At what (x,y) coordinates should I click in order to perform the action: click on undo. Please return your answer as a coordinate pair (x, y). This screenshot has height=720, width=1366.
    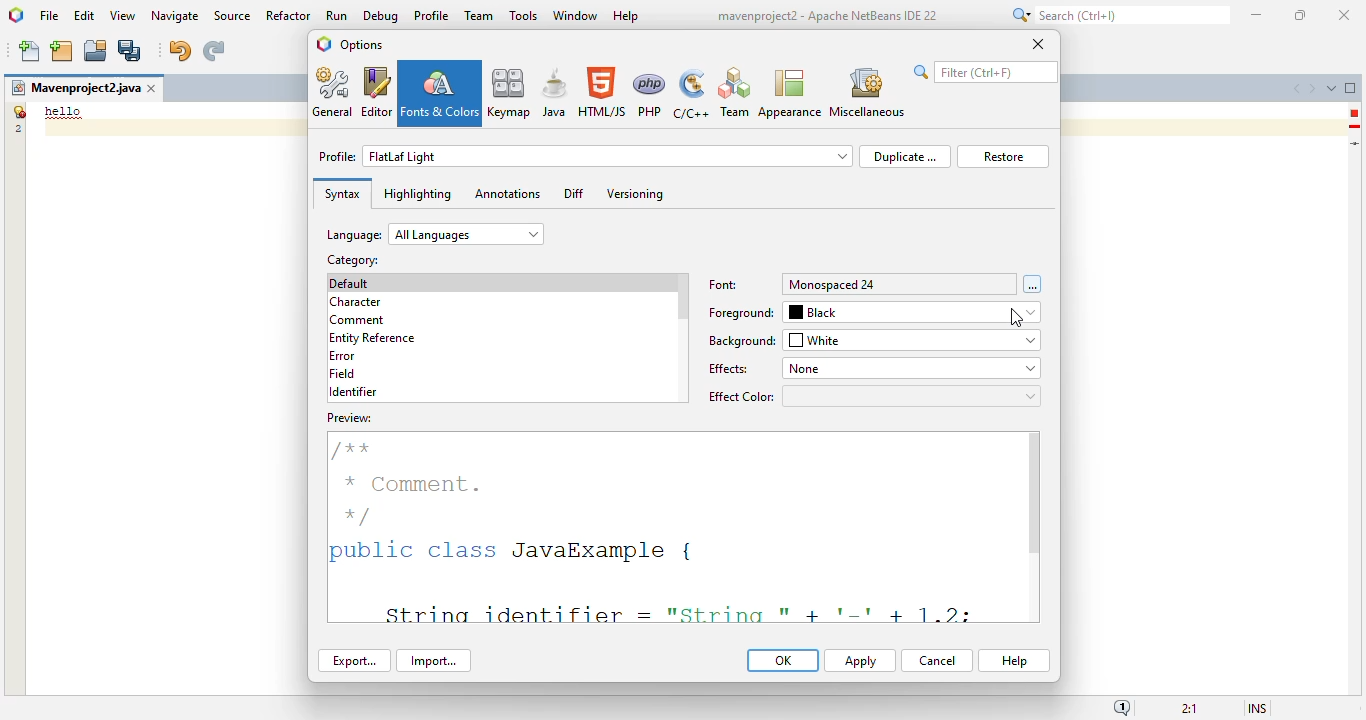
    Looking at the image, I should click on (179, 51).